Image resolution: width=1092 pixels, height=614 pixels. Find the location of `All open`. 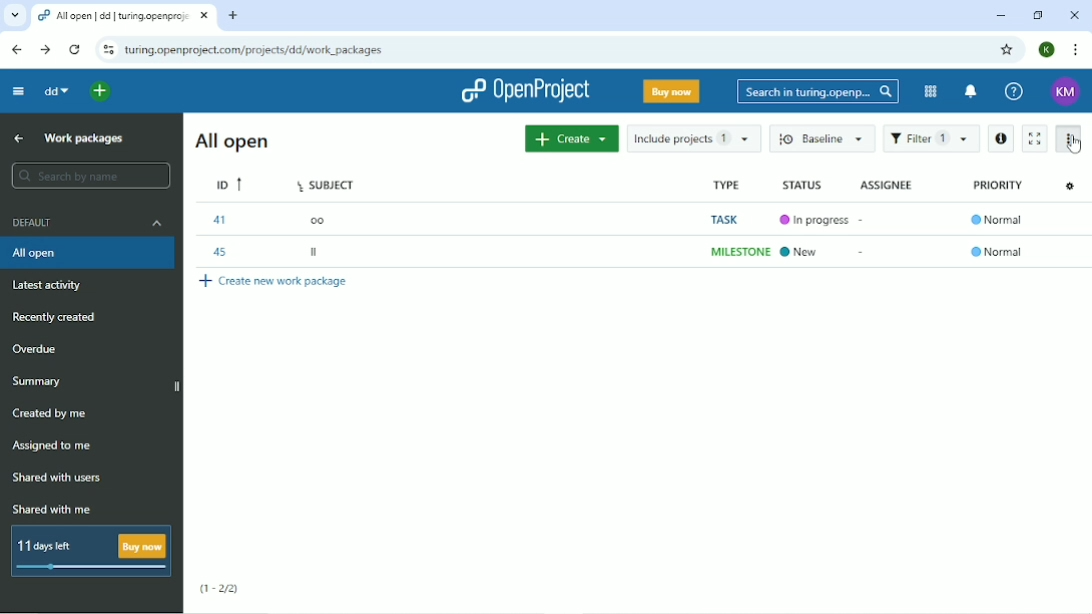

All open is located at coordinates (87, 254).